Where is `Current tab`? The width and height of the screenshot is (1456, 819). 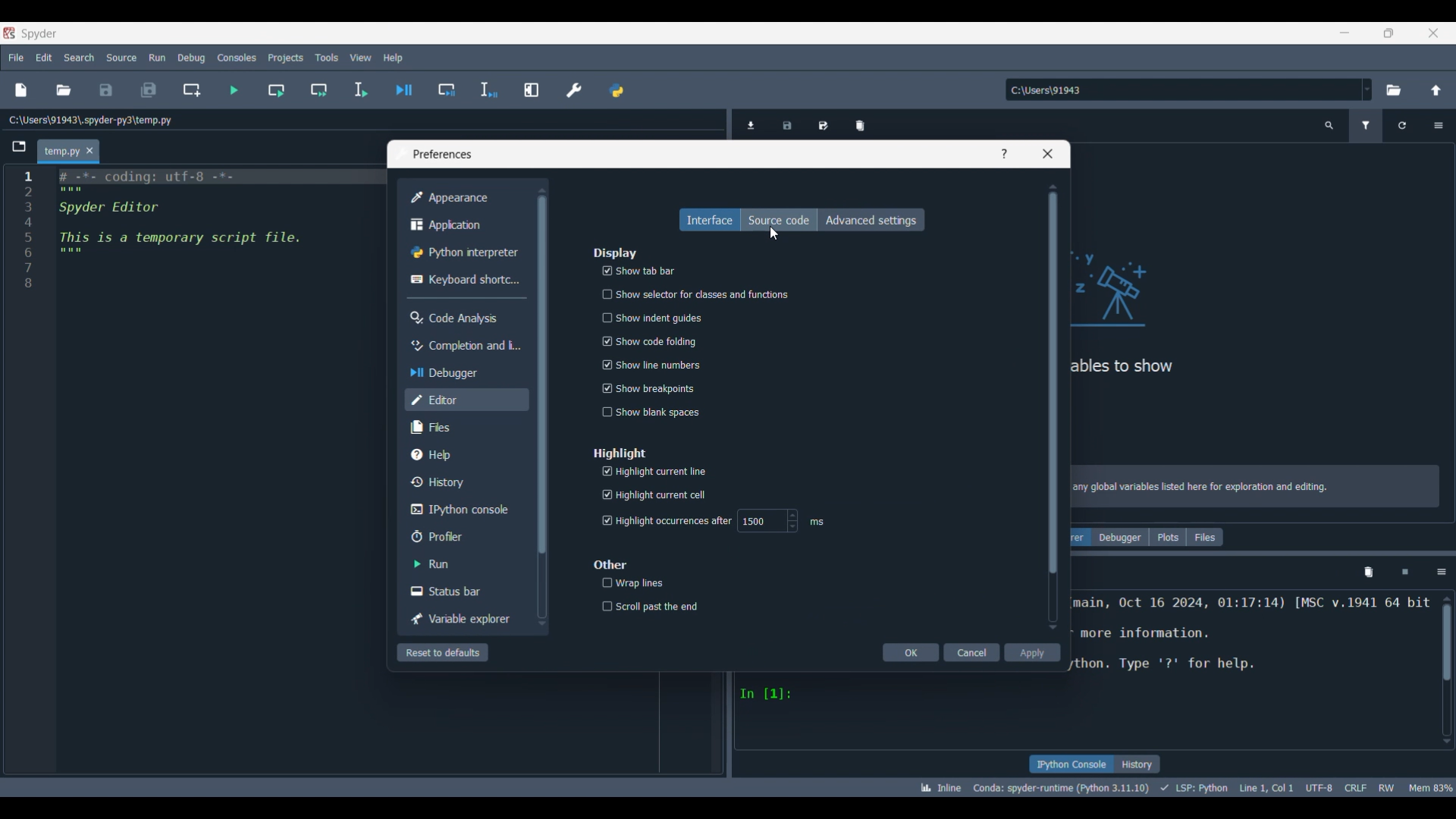
Current tab is located at coordinates (61, 152).